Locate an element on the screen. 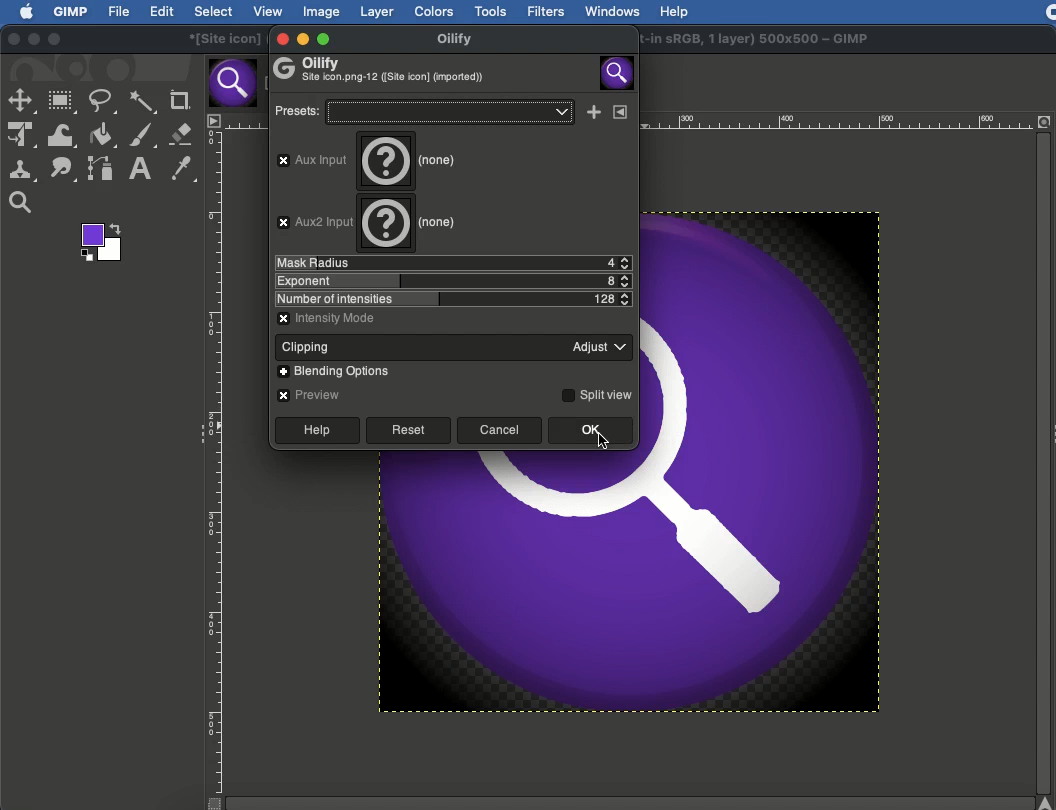 Image resolution: width=1056 pixels, height=810 pixels. Fill color is located at coordinates (101, 136).